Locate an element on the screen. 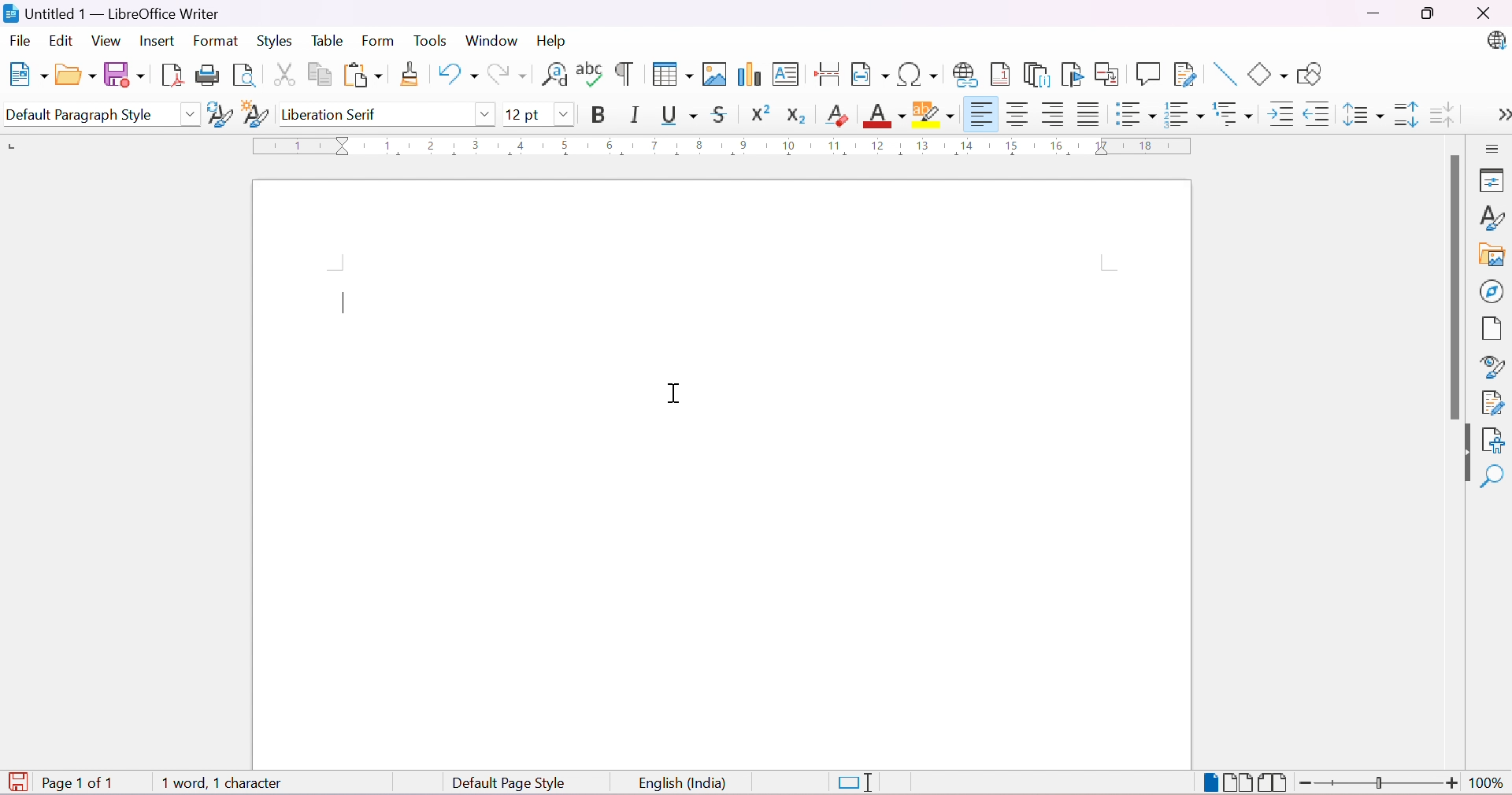  Cut is located at coordinates (281, 73).